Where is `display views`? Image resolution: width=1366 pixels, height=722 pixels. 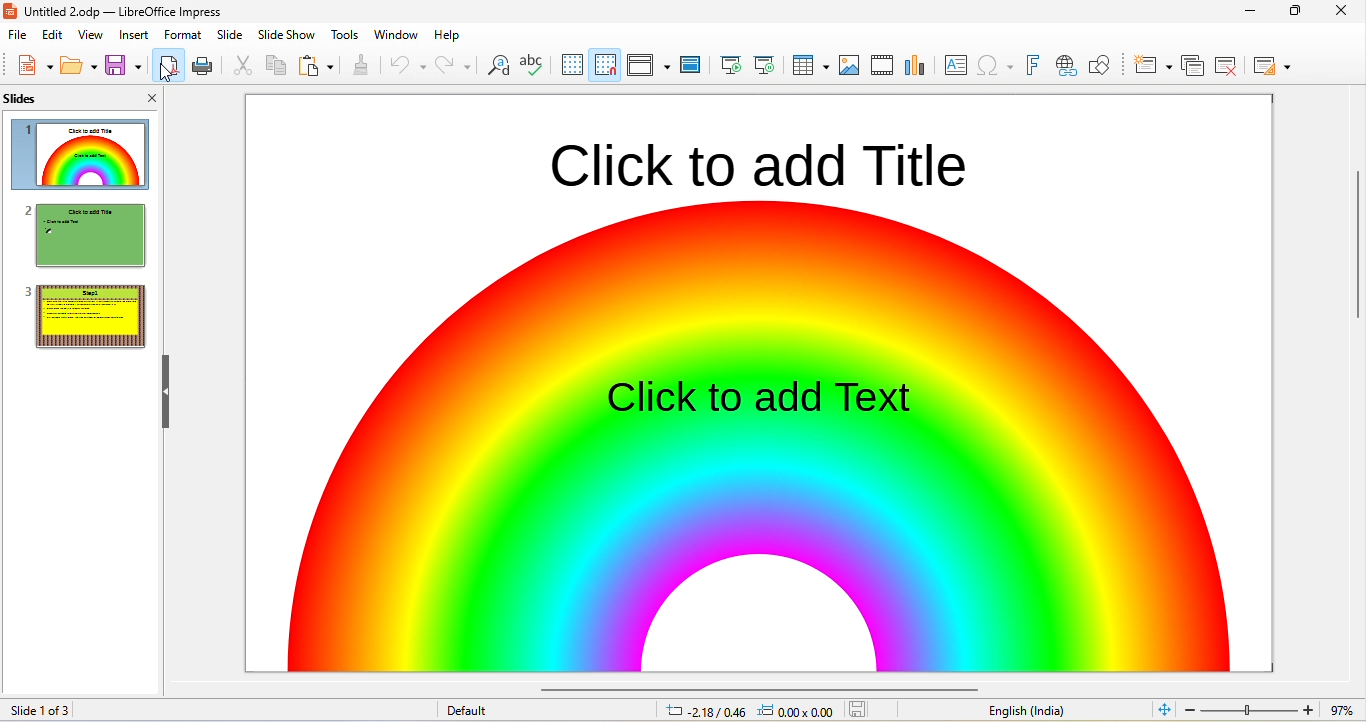
display views is located at coordinates (646, 64).